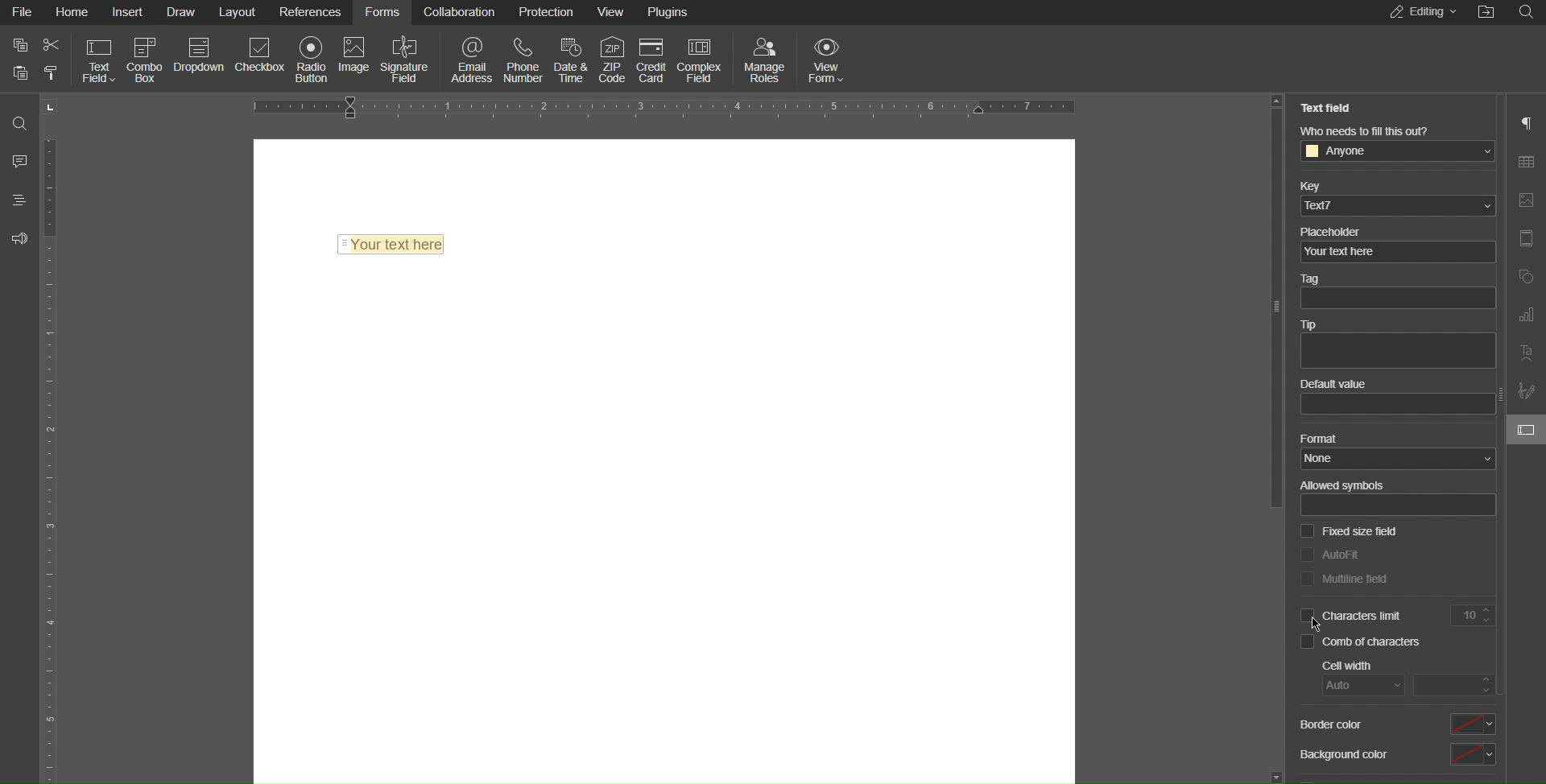 The image size is (1546, 784). I want to click on Header/Footer Settings, so click(1525, 239).